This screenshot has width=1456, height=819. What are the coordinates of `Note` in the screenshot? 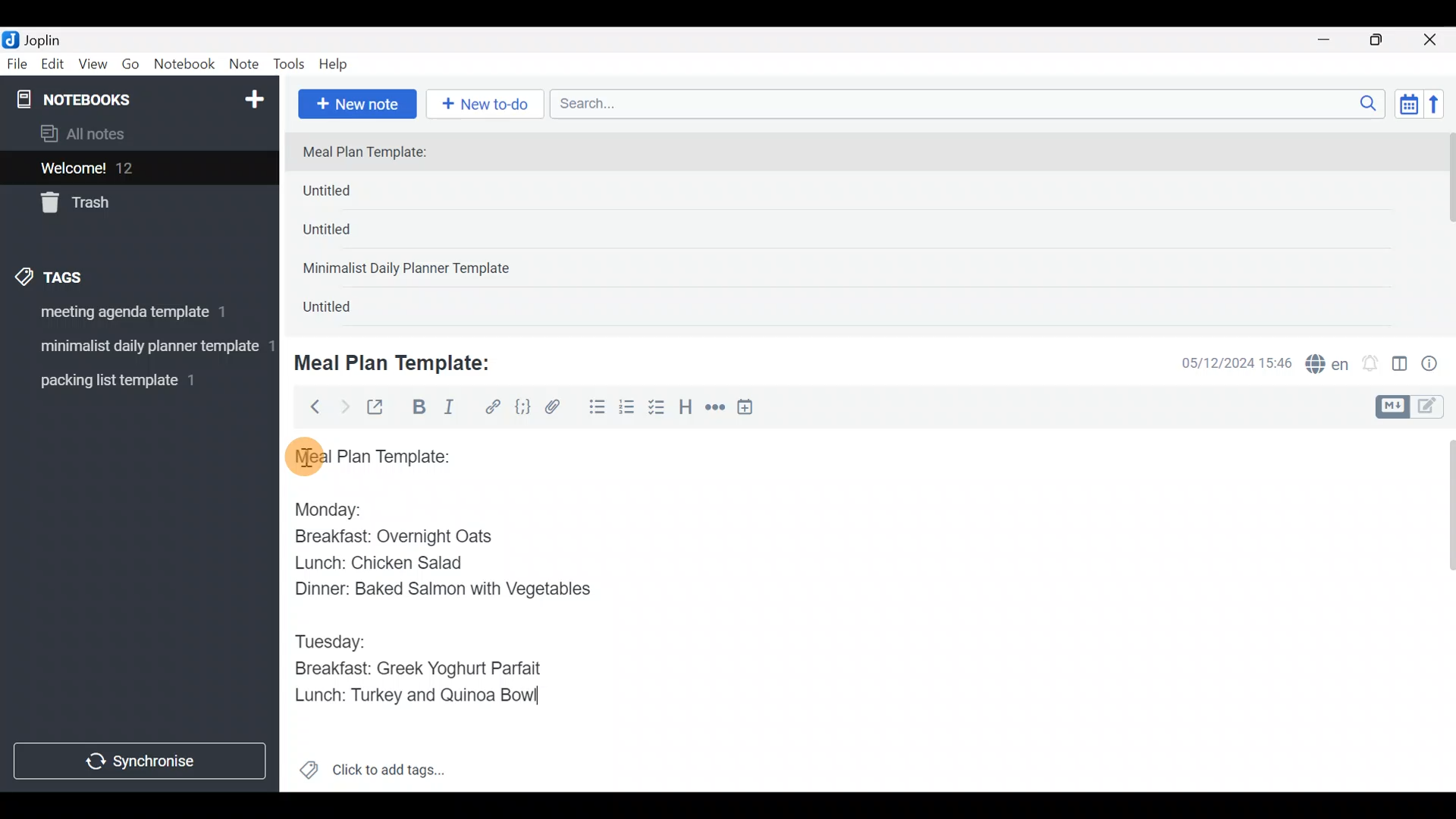 It's located at (247, 65).